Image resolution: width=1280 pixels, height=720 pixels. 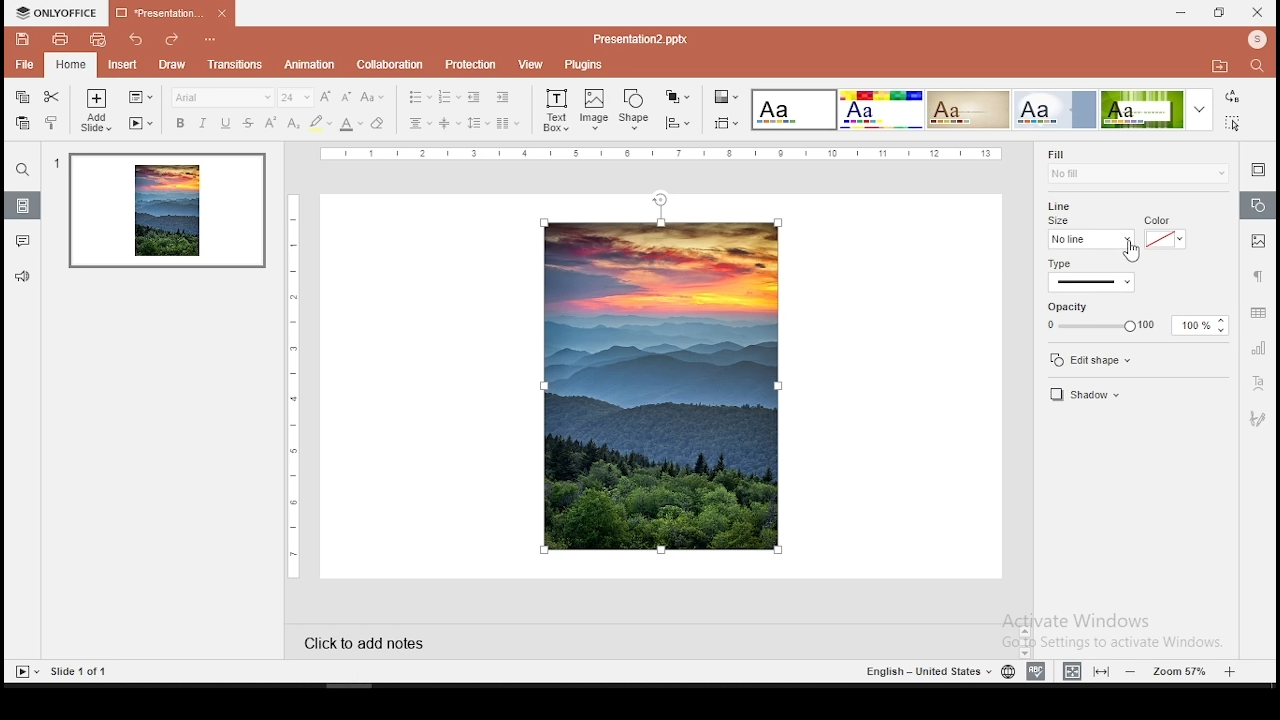 What do you see at coordinates (270, 122) in the screenshot?
I see `superscript` at bounding box center [270, 122].